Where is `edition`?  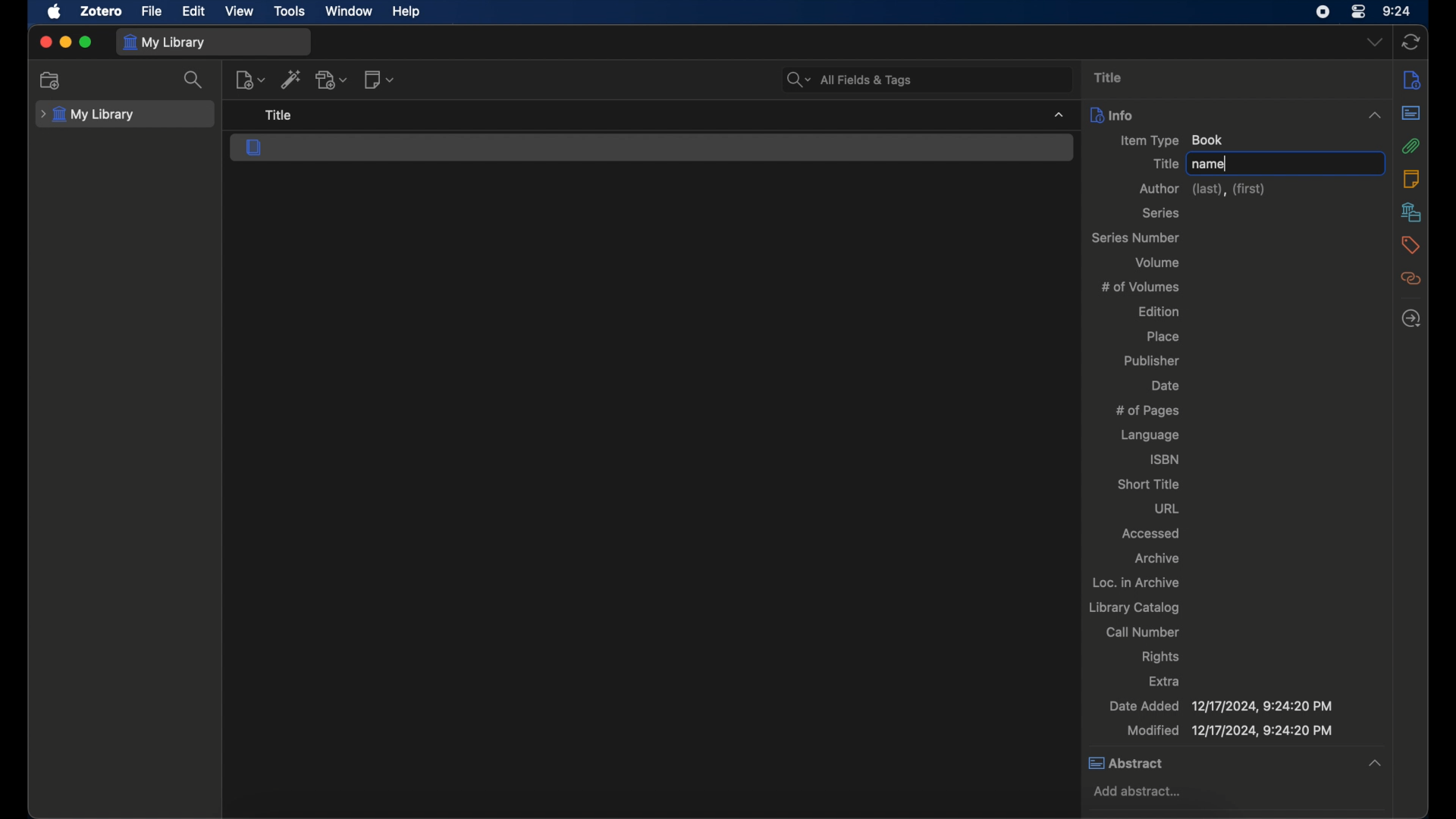 edition is located at coordinates (1159, 312).